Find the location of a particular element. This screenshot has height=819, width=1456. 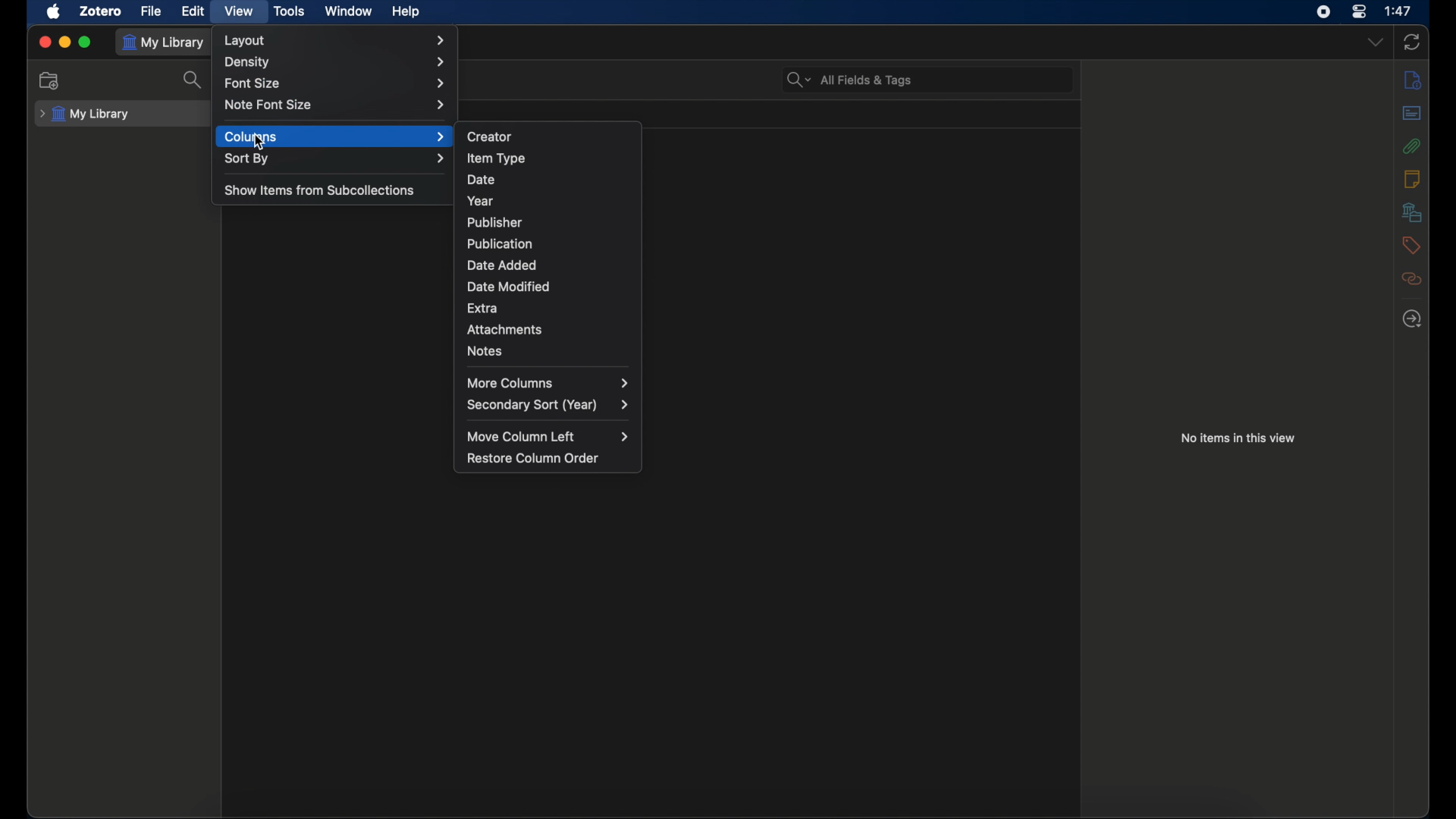

Cursor is located at coordinates (262, 145).